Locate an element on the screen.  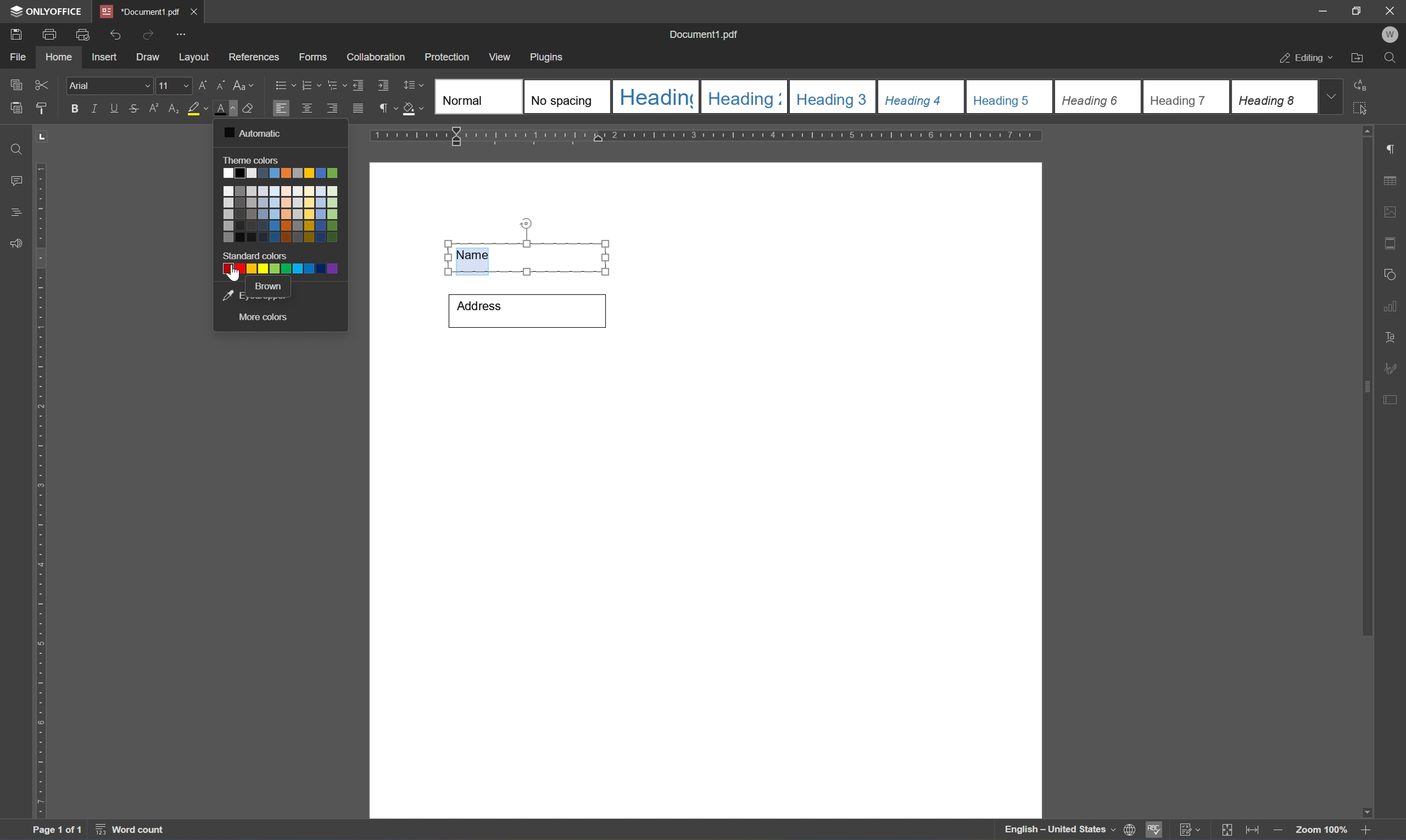
nonprinting characters is located at coordinates (388, 108).